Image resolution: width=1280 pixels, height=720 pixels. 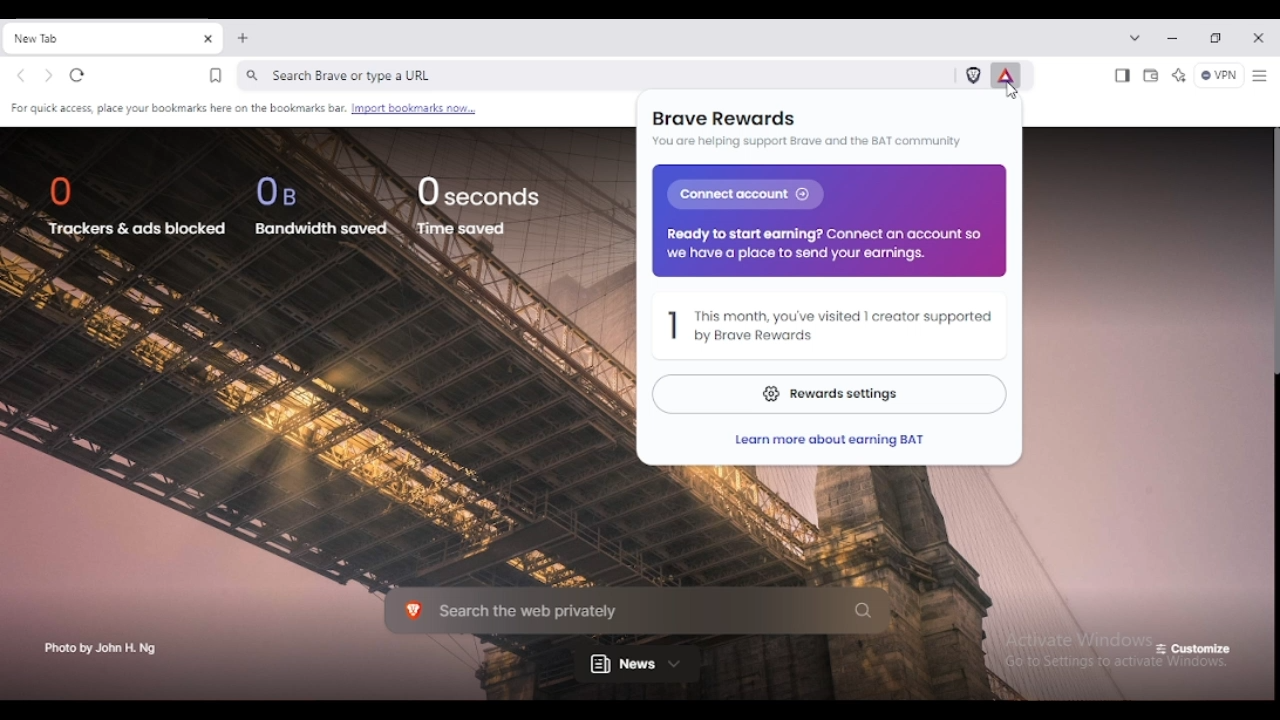 What do you see at coordinates (1173, 40) in the screenshot?
I see `minimize` at bounding box center [1173, 40].